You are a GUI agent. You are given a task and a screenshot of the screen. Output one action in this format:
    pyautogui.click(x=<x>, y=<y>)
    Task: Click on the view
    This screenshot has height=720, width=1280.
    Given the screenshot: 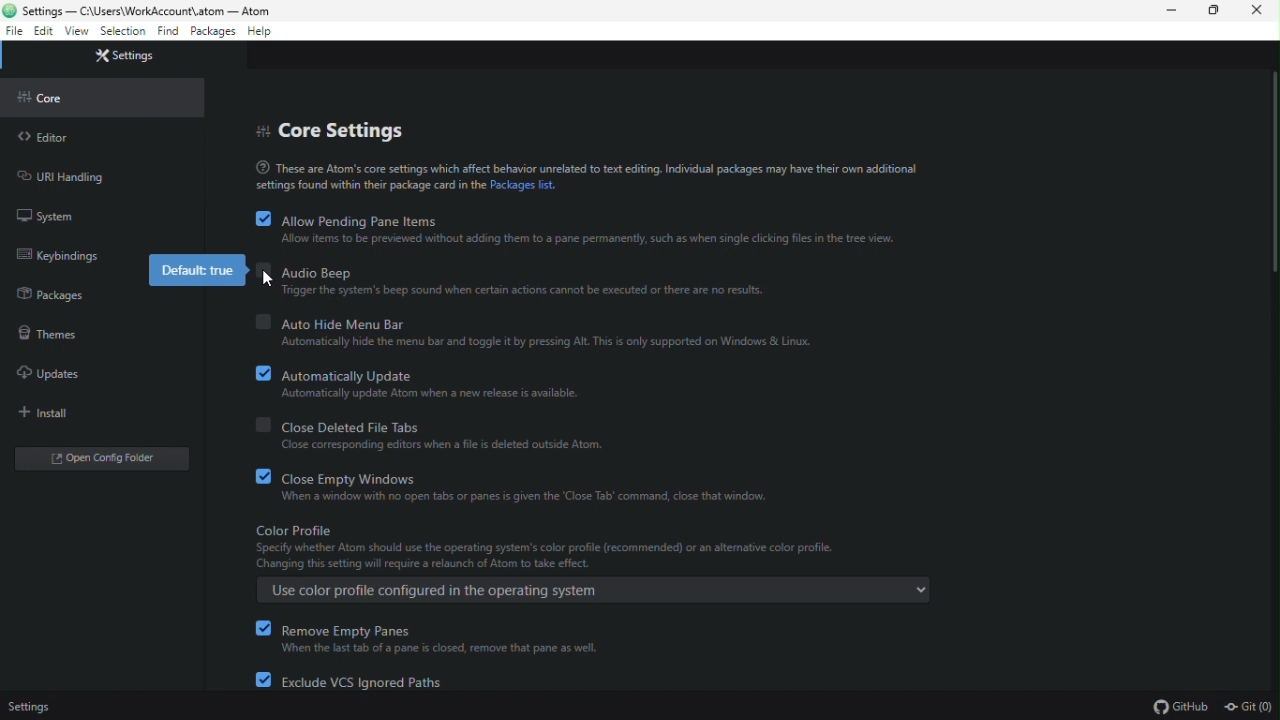 What is the action you would take?
    pyautogui.click(x=78, y=33)
    